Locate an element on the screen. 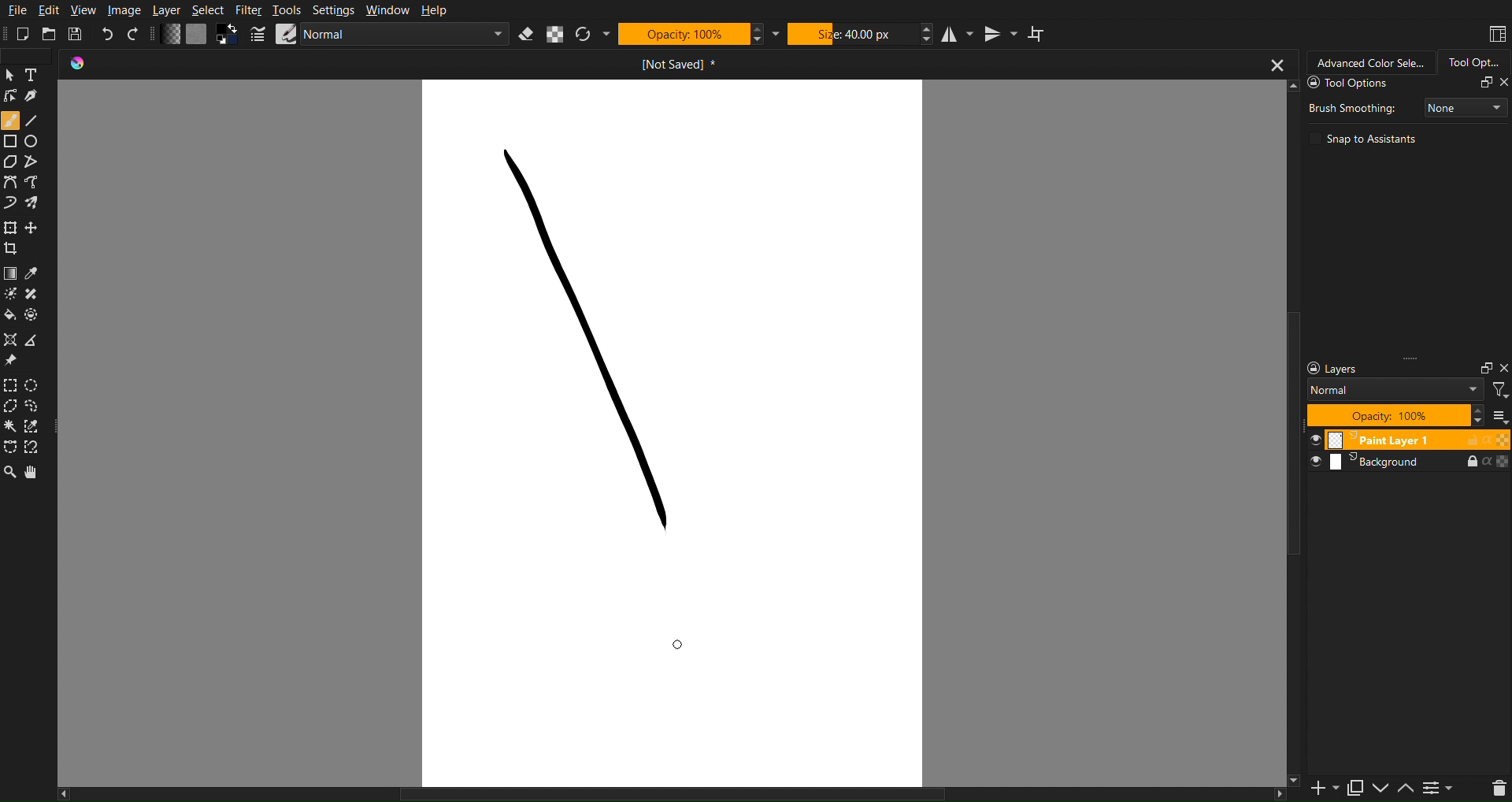  Free Move is located at coordinates (35, 227).